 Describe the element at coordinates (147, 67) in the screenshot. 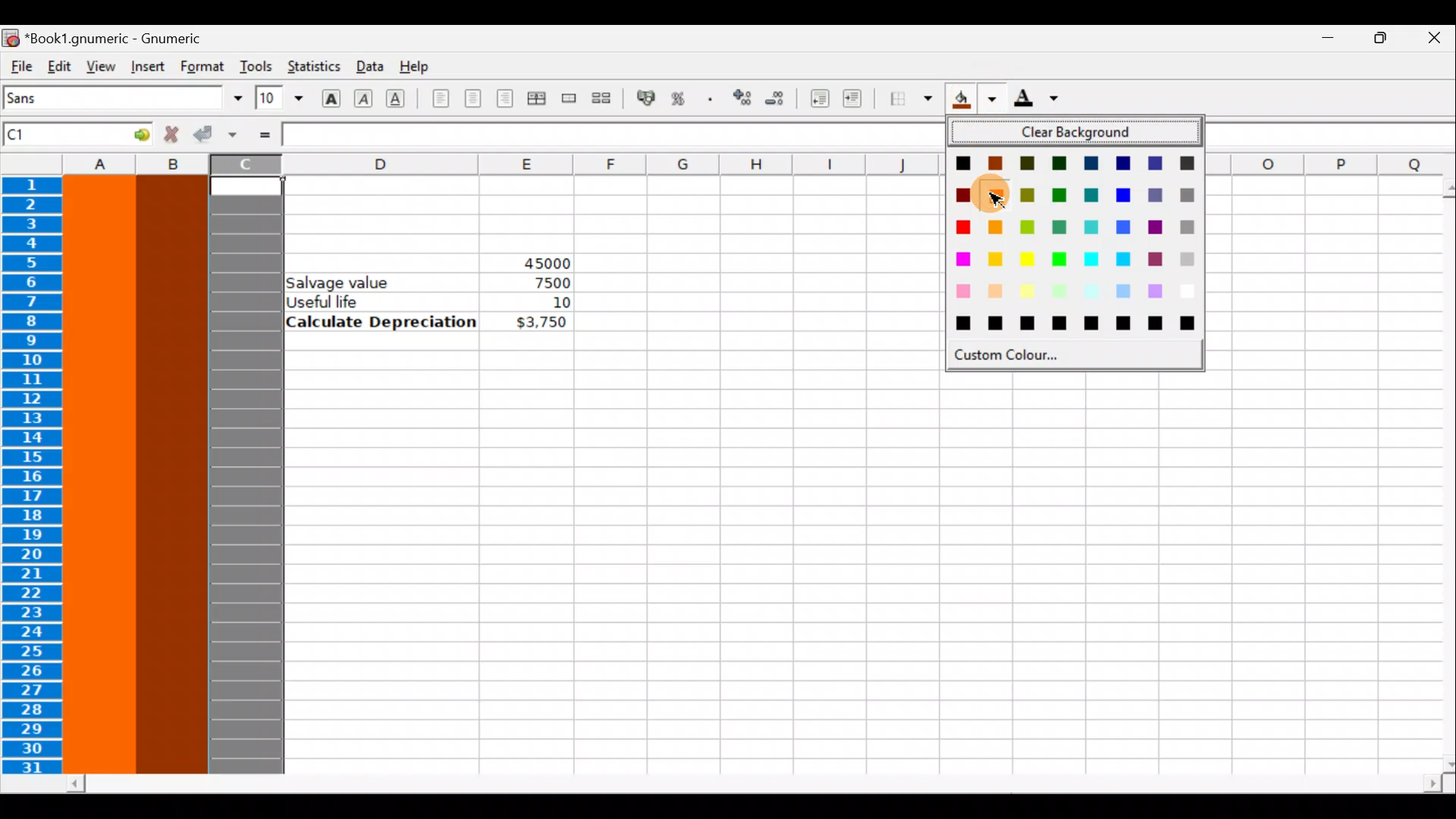

I see `Insert` at that location.